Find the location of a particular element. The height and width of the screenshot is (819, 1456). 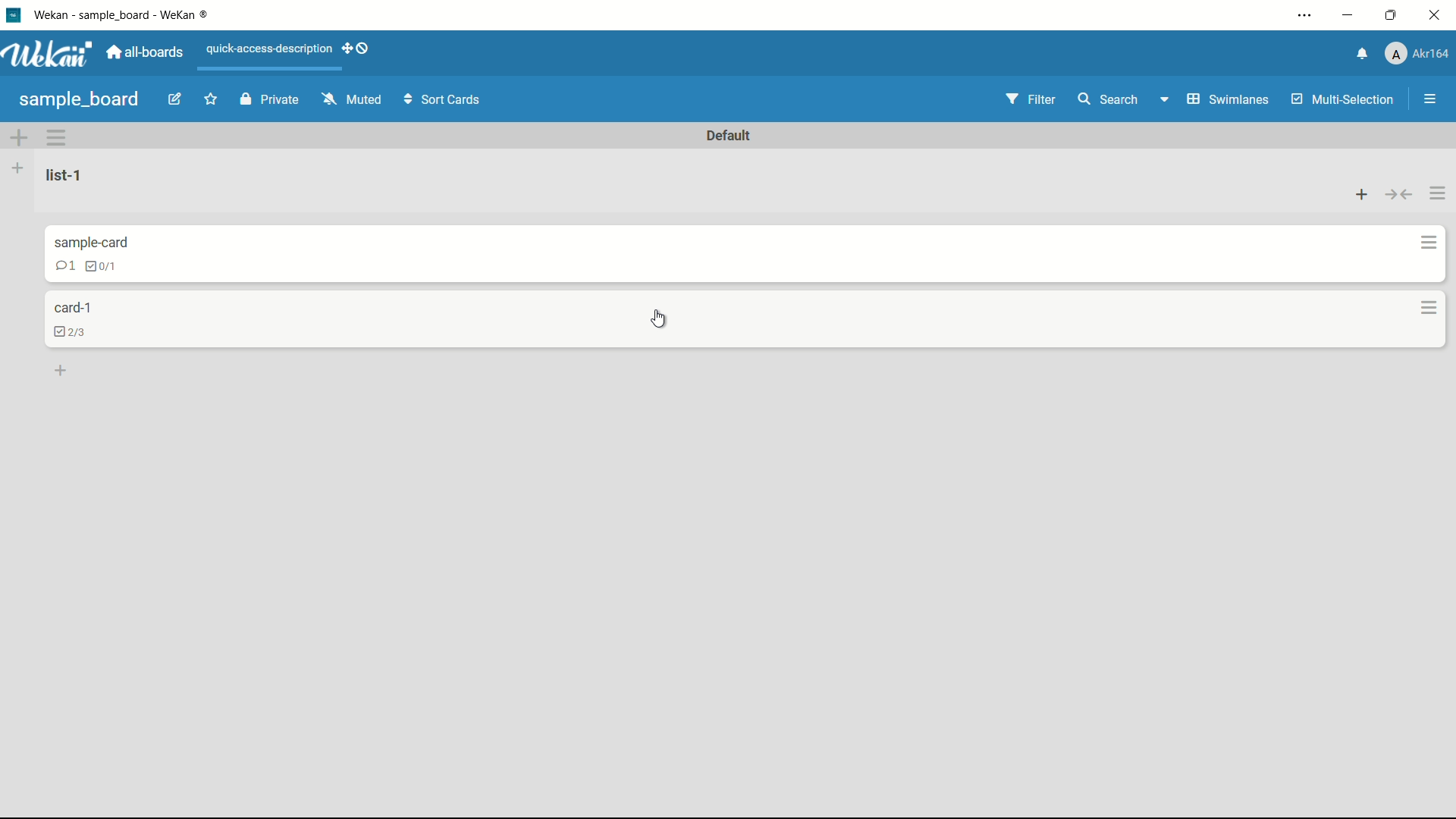

dekstop drag bar is located at coordinates (359, 50).